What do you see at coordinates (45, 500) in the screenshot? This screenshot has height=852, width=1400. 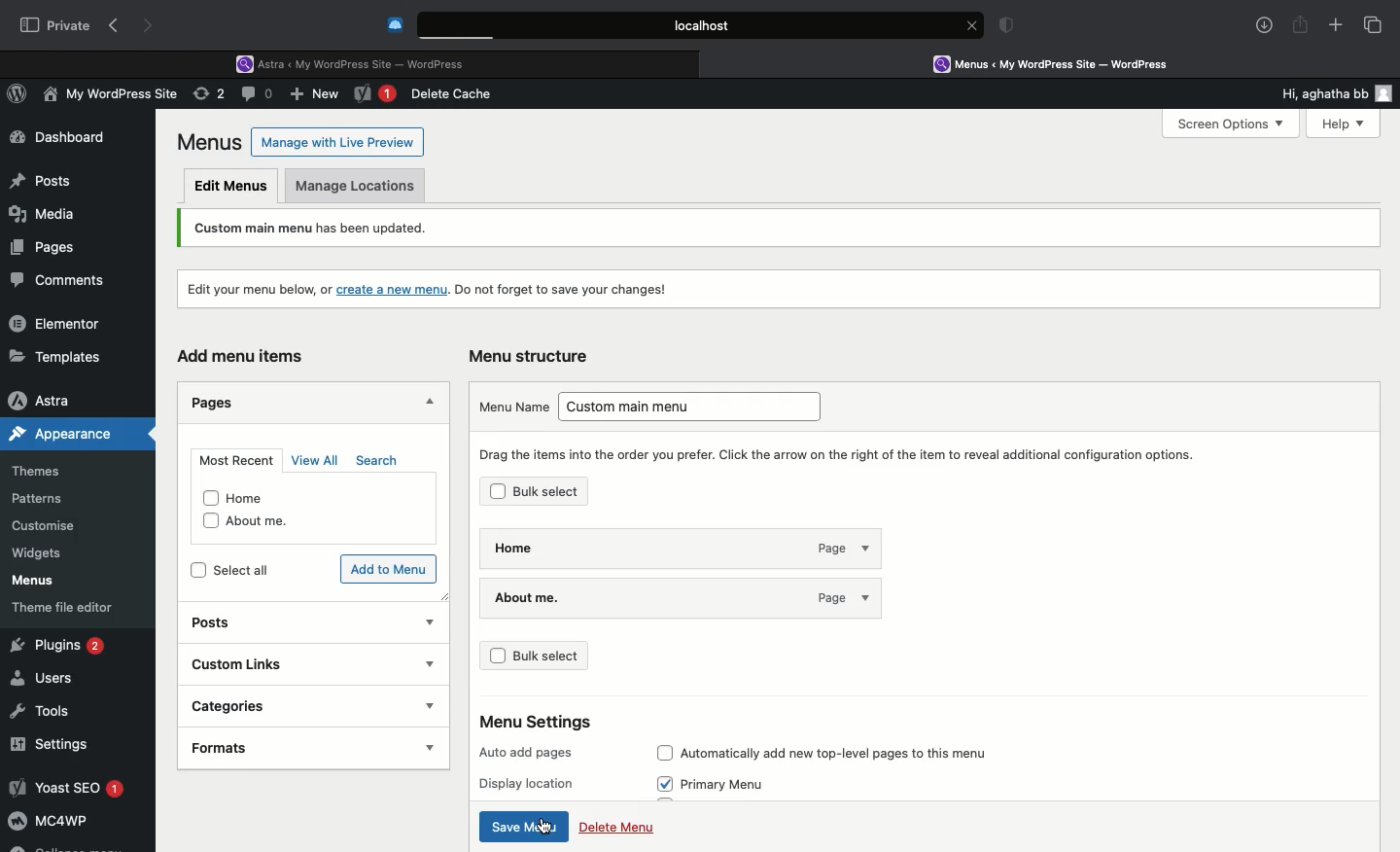 I see `Patterns` at bounding box center [45, 500].